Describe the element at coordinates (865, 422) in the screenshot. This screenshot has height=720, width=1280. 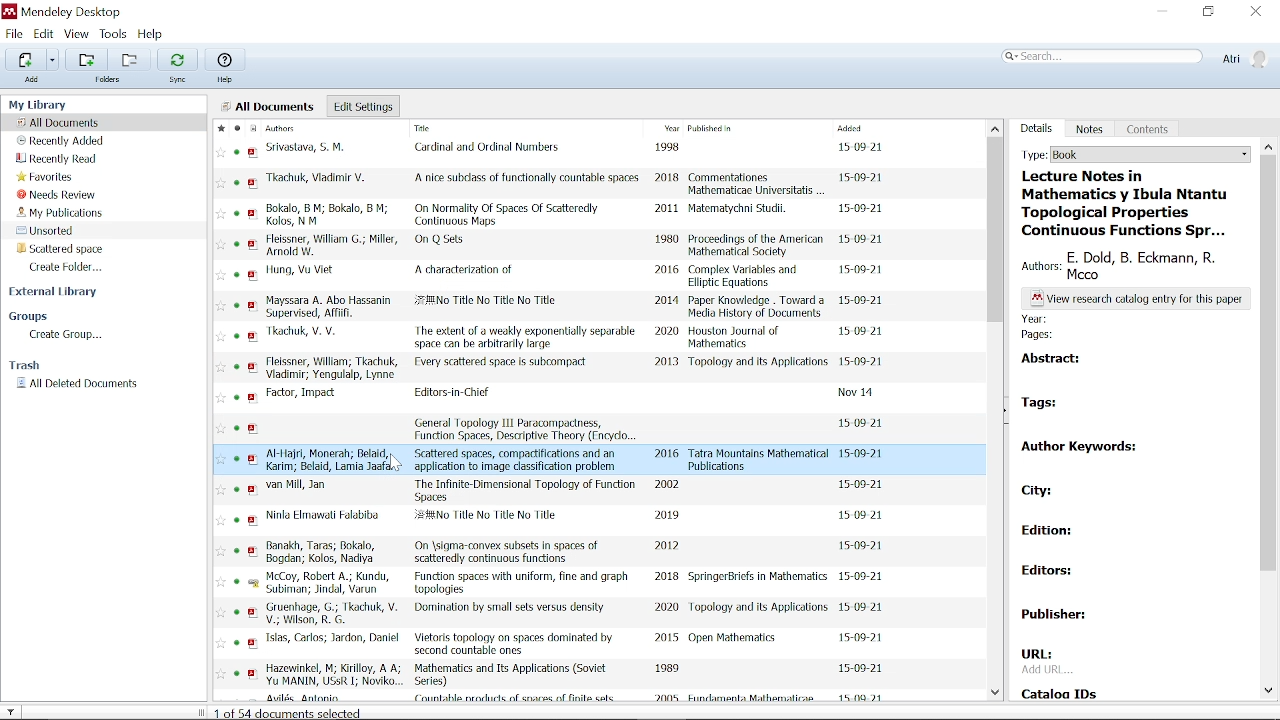
I see `date` at that location.